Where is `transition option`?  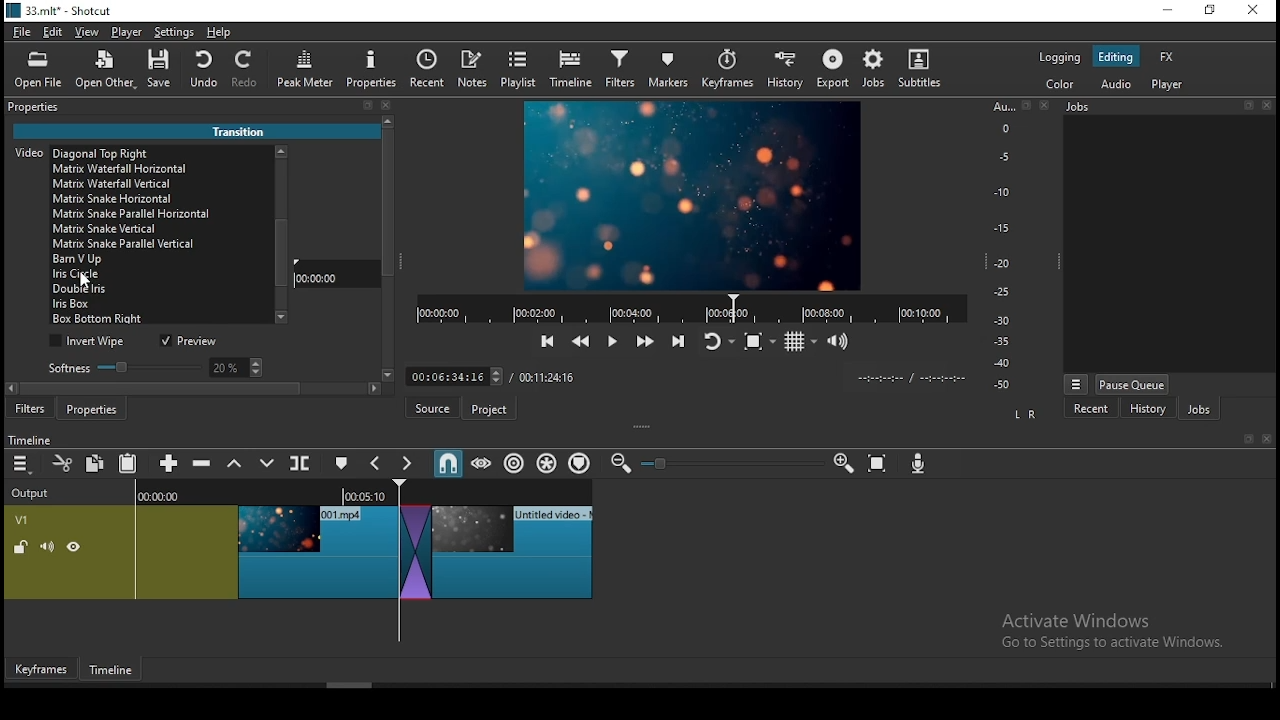
transition option is located at coordinates (160, 319).